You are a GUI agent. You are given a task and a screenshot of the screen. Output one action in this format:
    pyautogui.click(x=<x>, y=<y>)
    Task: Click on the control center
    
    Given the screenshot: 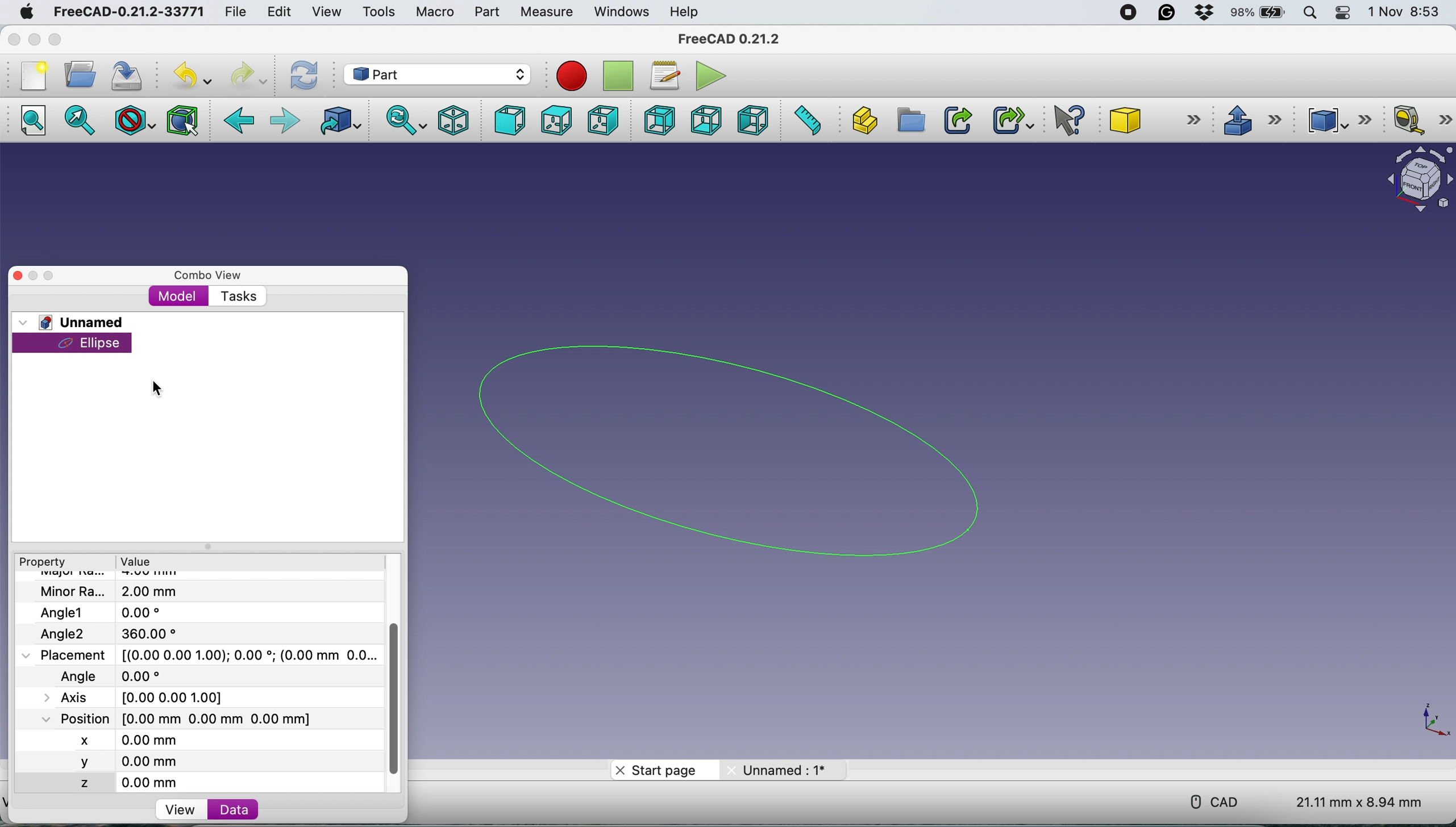 What is the action you would take?
    pyautogui.click(x=1341, y=13)
    